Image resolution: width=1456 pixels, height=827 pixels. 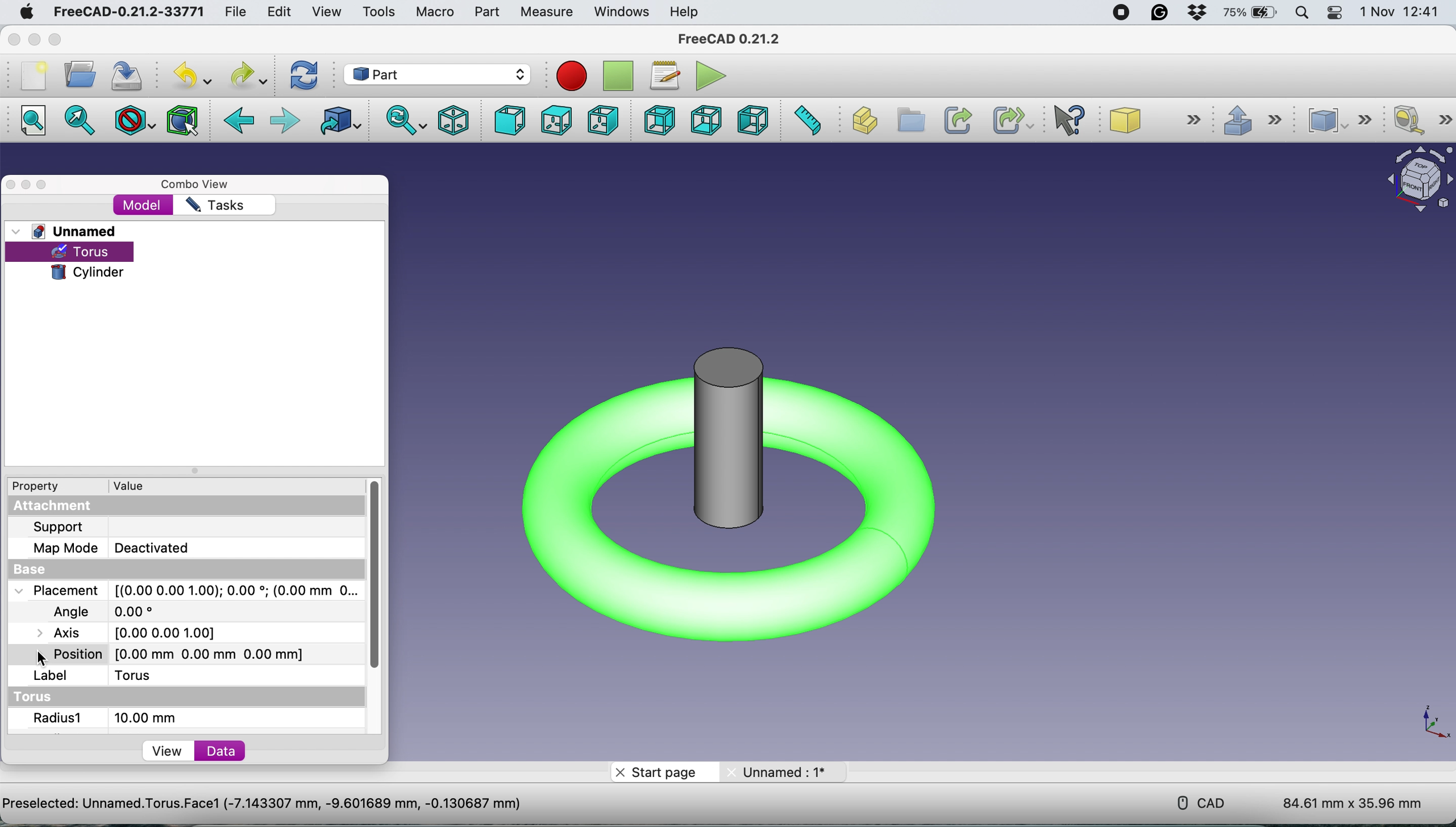 I want to click on freecad, so click(x=729, y=39).